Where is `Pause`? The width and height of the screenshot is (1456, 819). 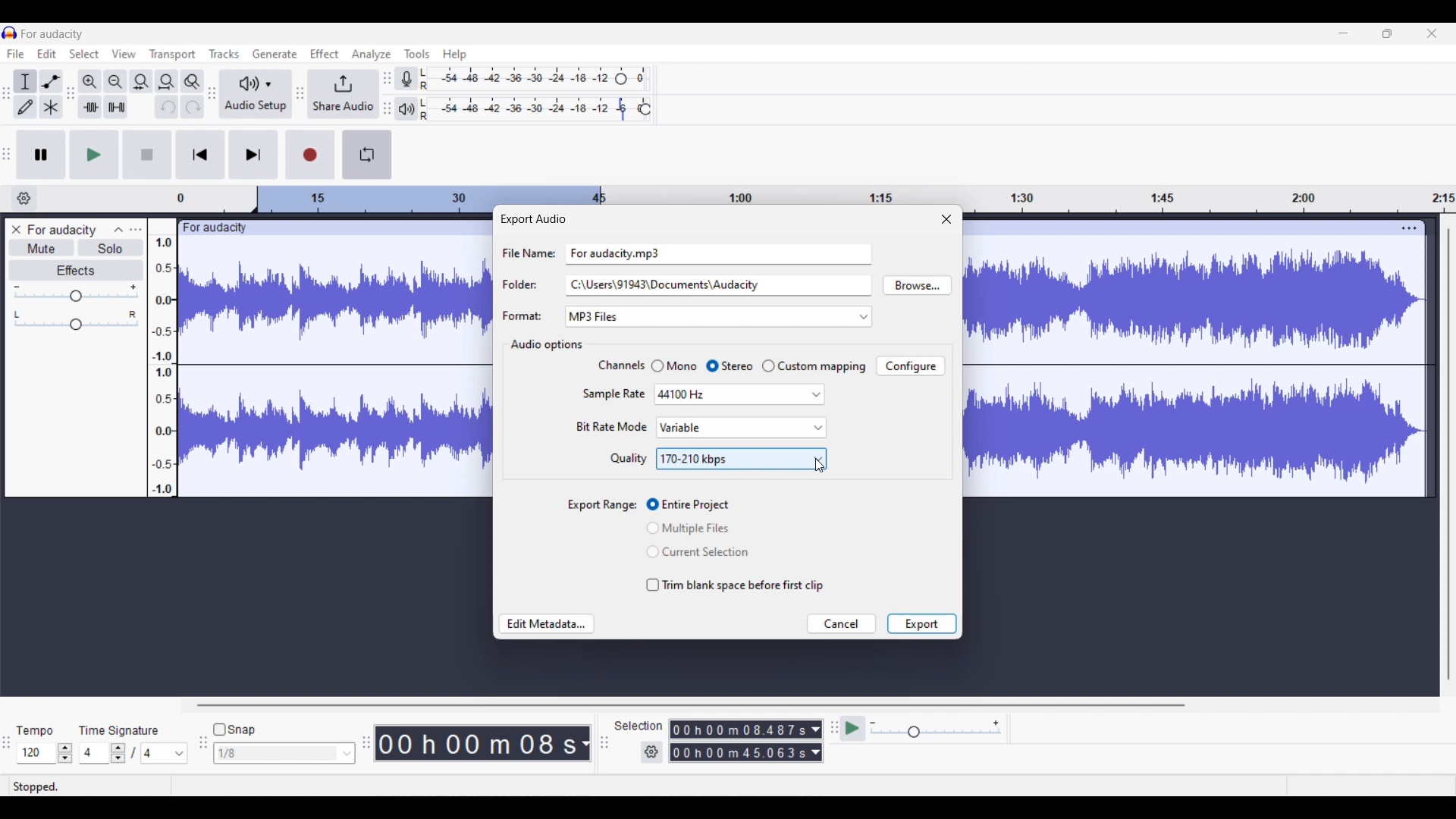
Pause is located at coordinates (41, 155).